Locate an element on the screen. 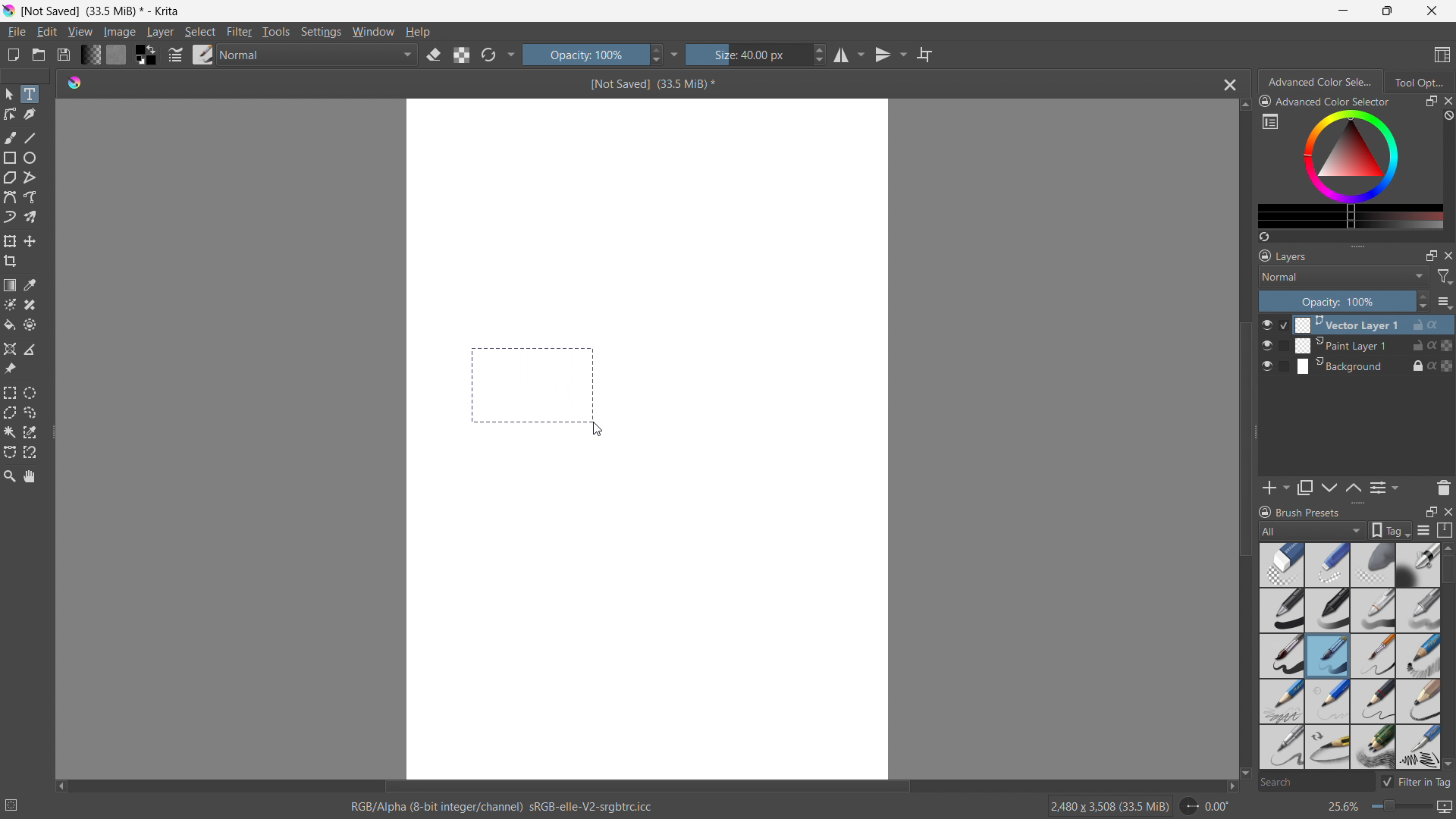  brush presets is located at coordinates (1299, 511).